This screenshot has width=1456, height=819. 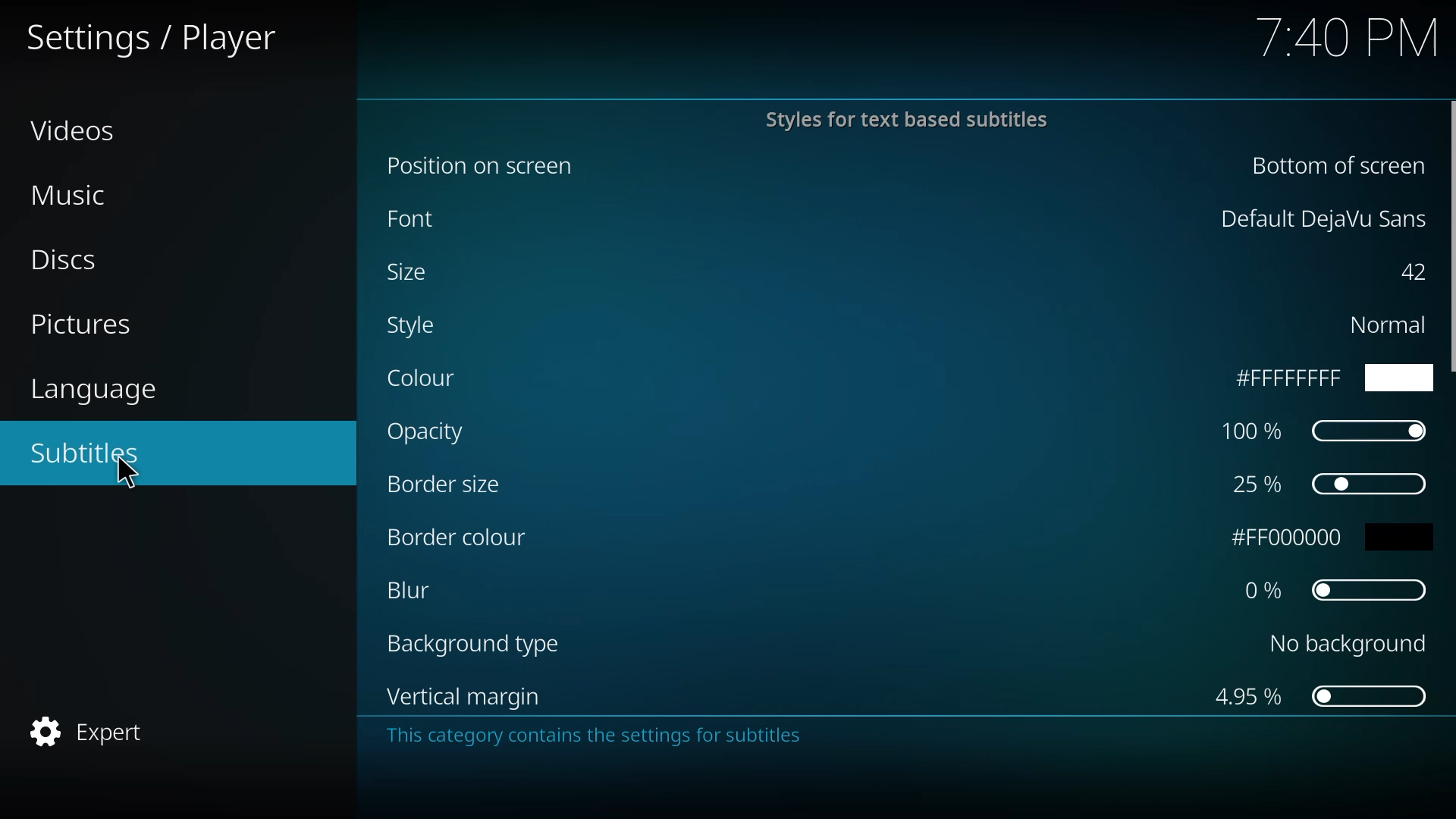 I want to click on position, so click(x=481, y=165).